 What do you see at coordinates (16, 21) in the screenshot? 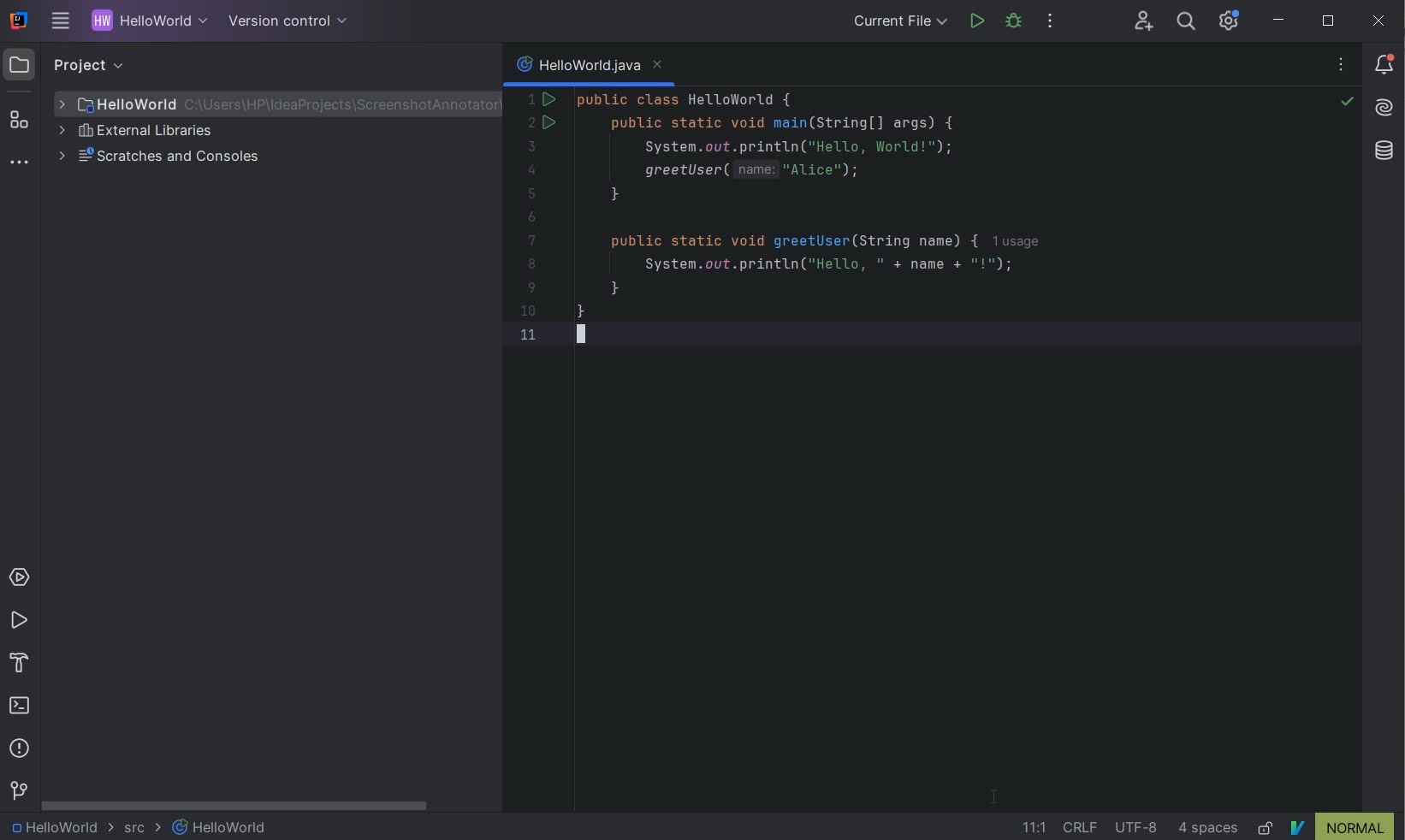
I see `SYSTEM NAME` at bounding box center [16, 21].